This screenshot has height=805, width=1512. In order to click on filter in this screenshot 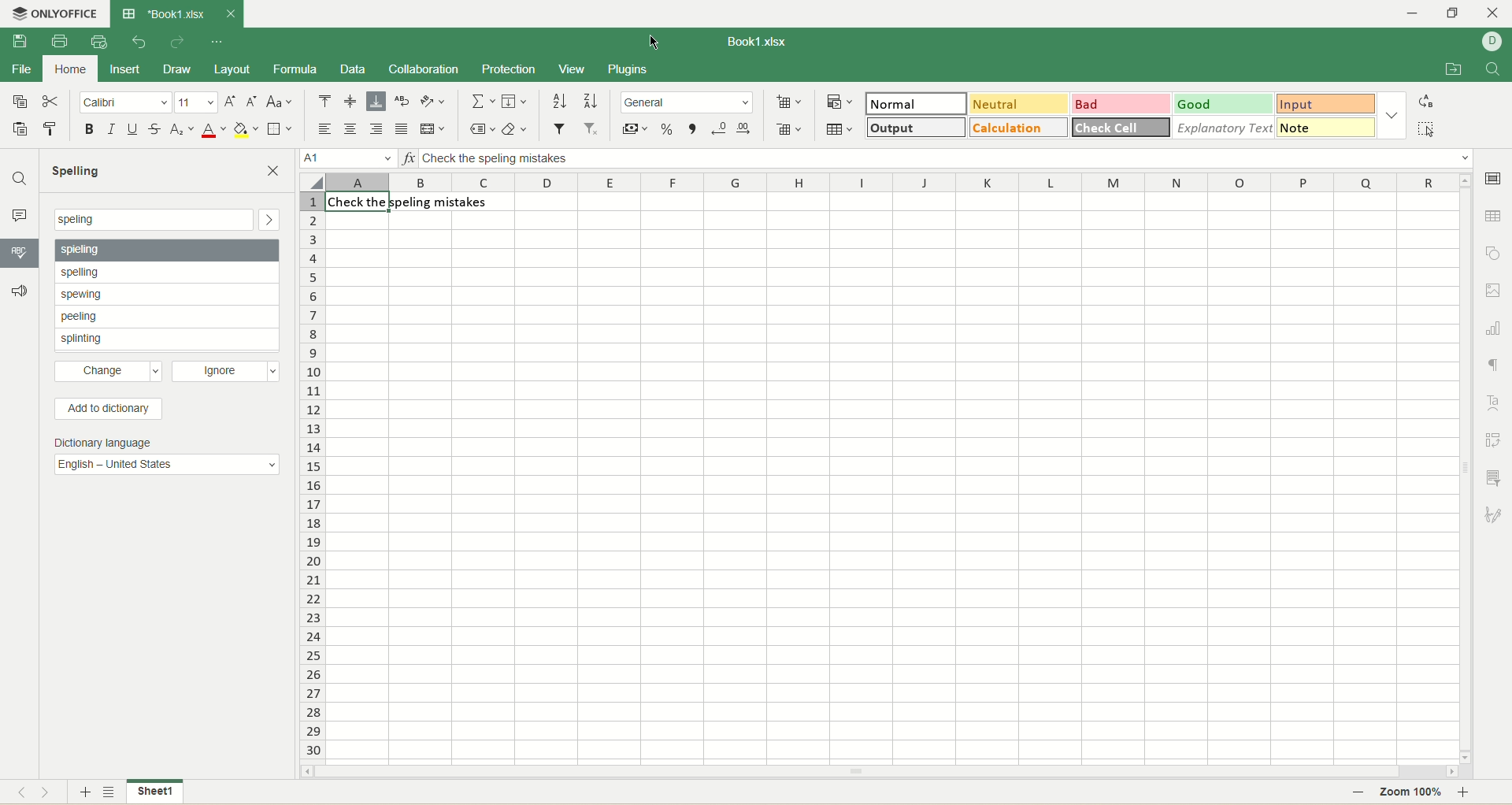, I will do `click(558, 129)`.